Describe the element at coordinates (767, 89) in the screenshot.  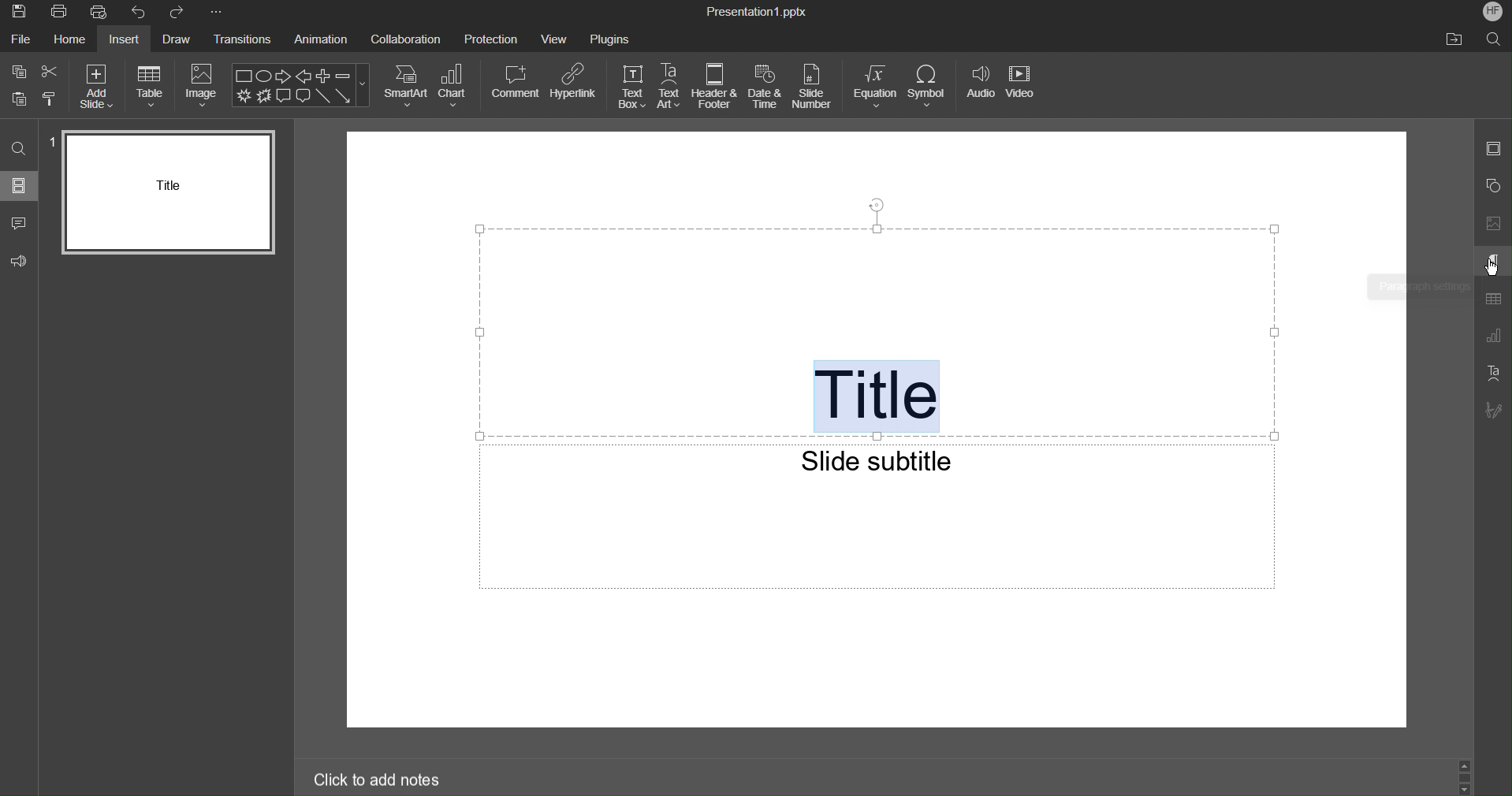
I see `Date and Time` at that location.